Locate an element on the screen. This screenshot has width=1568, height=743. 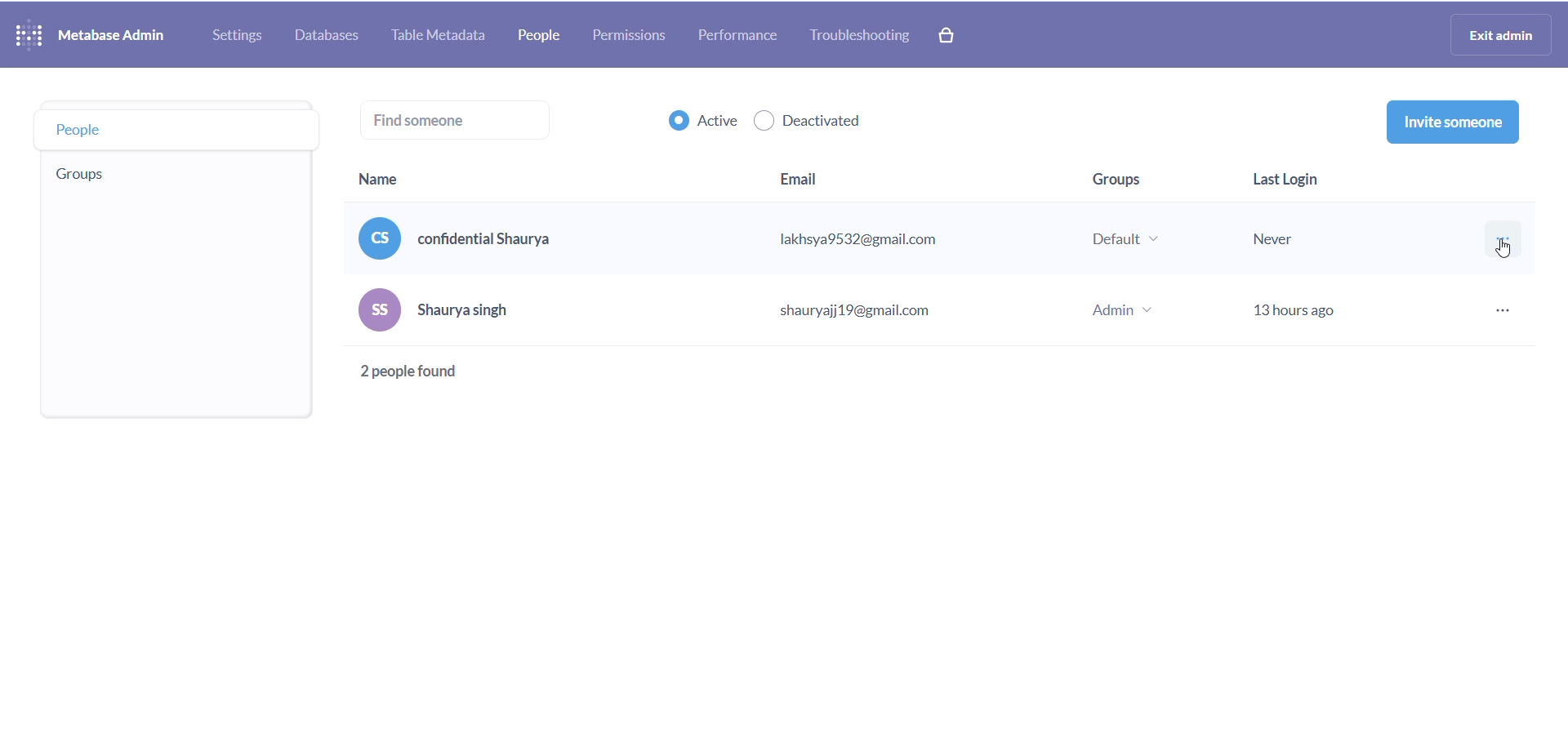
group is located at coordinates (1136, 245).